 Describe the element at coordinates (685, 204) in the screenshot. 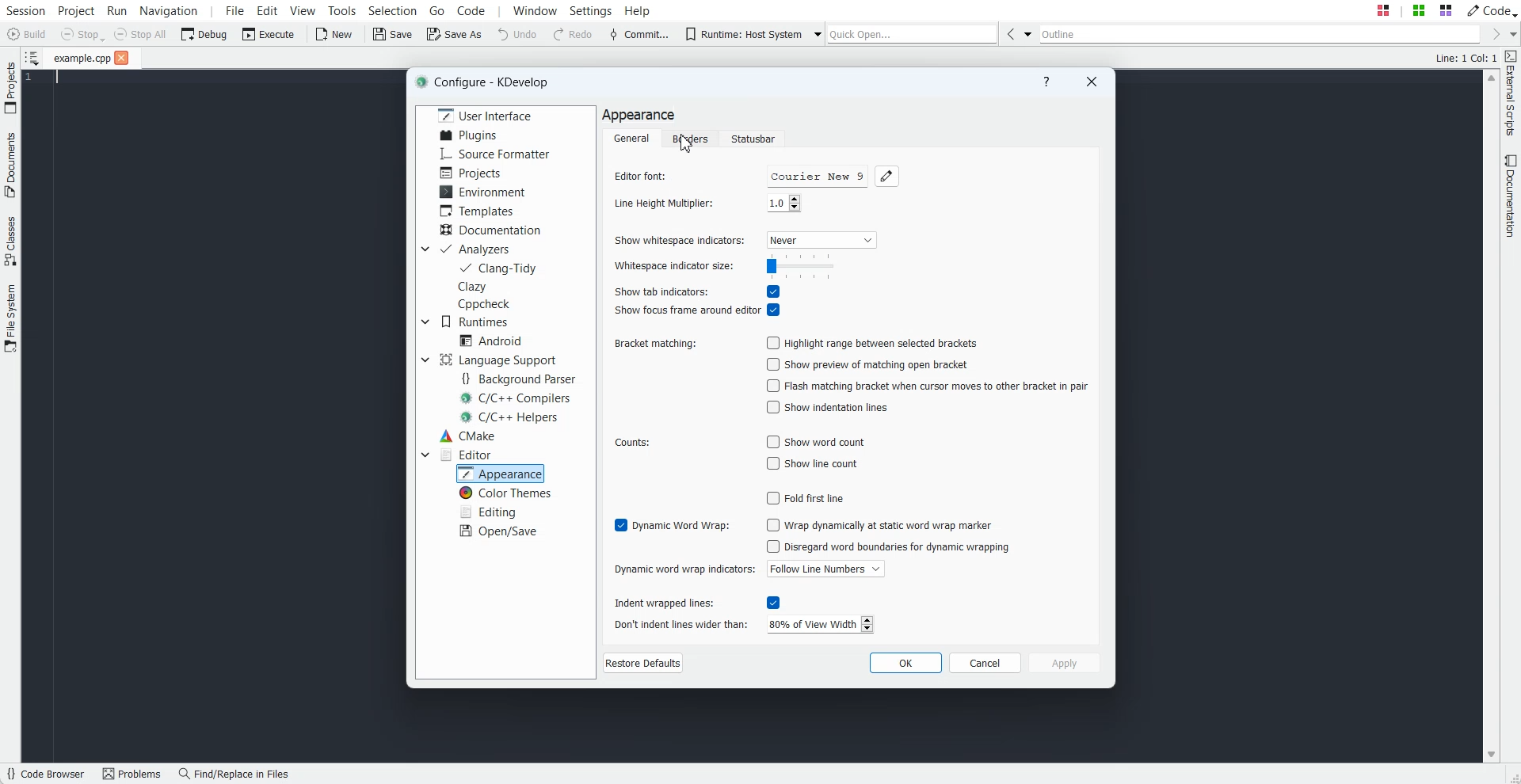

I see `Line Height Multiplier` at that location.